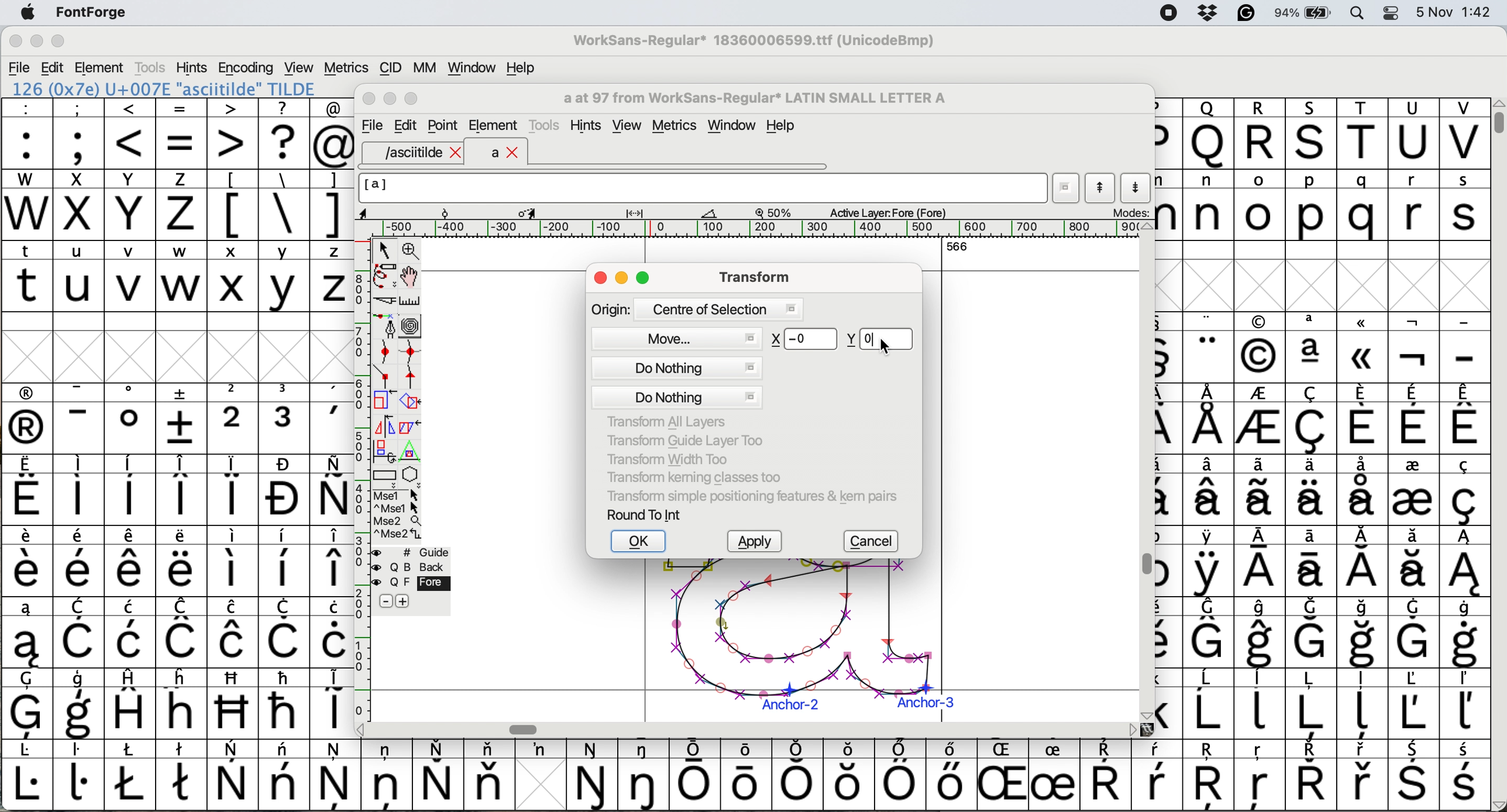 The image size is (1507, 812). Describe the element at coordinates (886, 212) in the screenshot. I see `active layer` at that location.